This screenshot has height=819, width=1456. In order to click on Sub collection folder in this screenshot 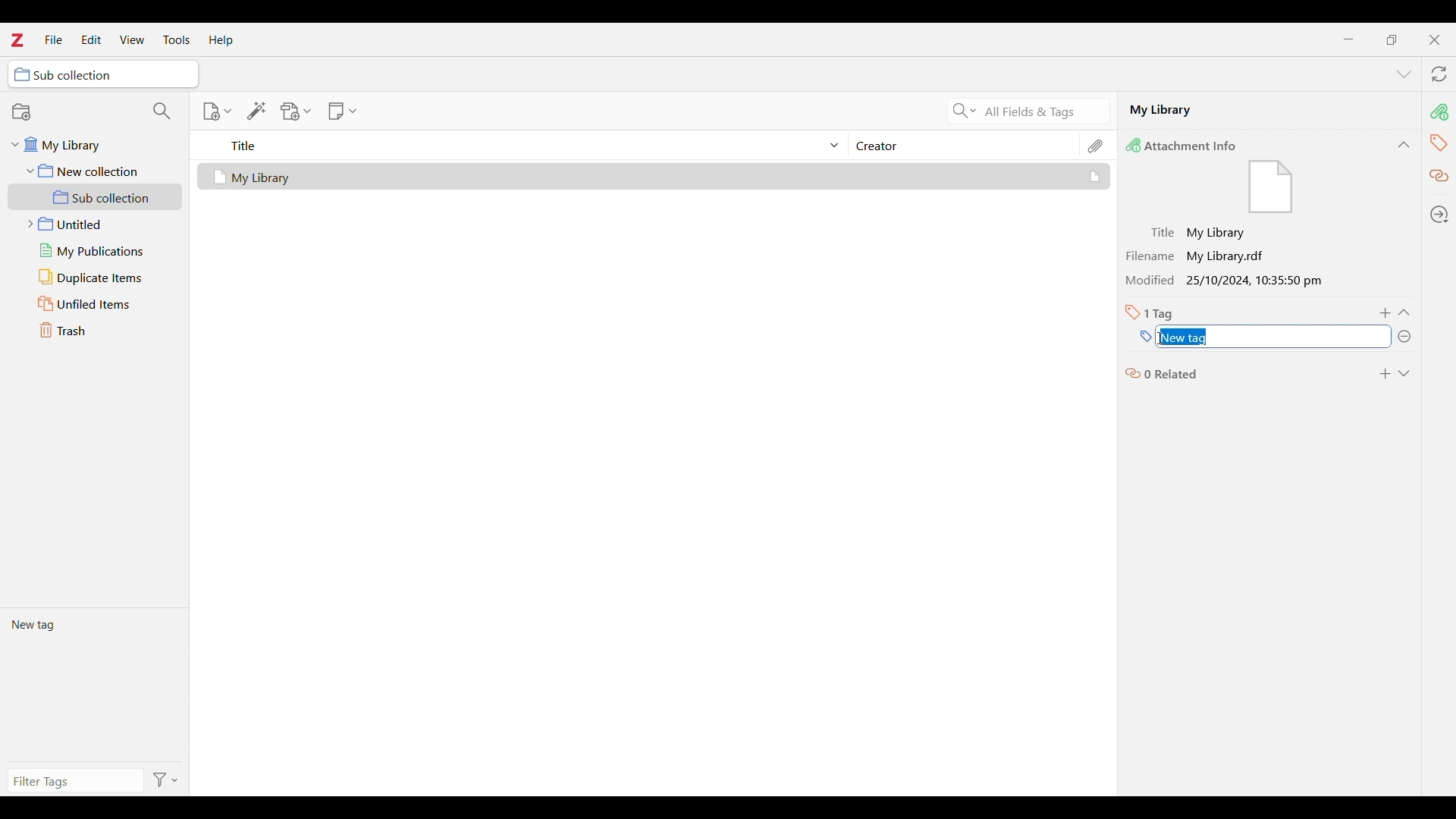, I will do `click(96, 197)`.